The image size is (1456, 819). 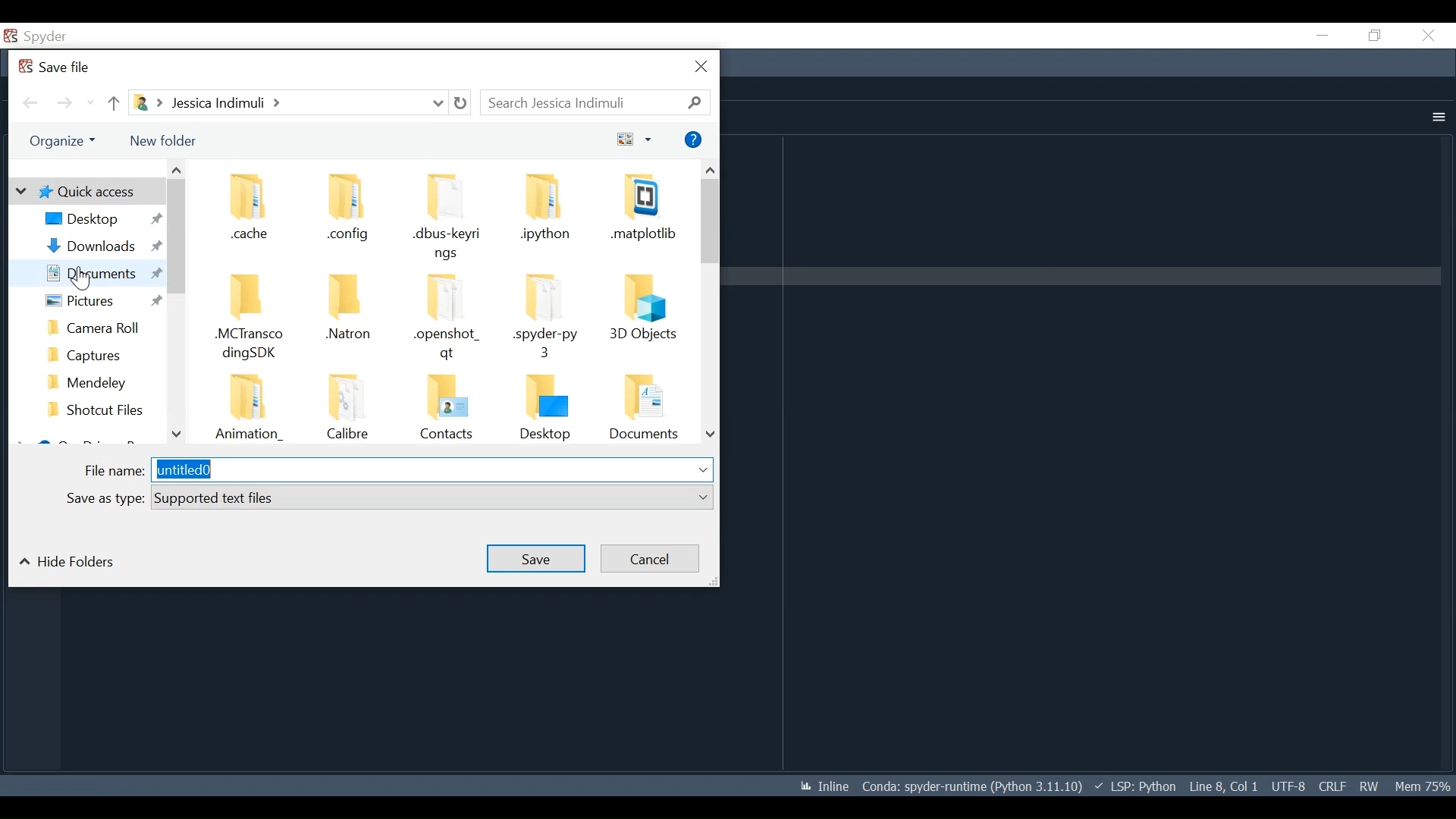 What do you see at coordinates (72, 562) in the screenshot?
I see `Hide folders` at bounding box center [72, 562].